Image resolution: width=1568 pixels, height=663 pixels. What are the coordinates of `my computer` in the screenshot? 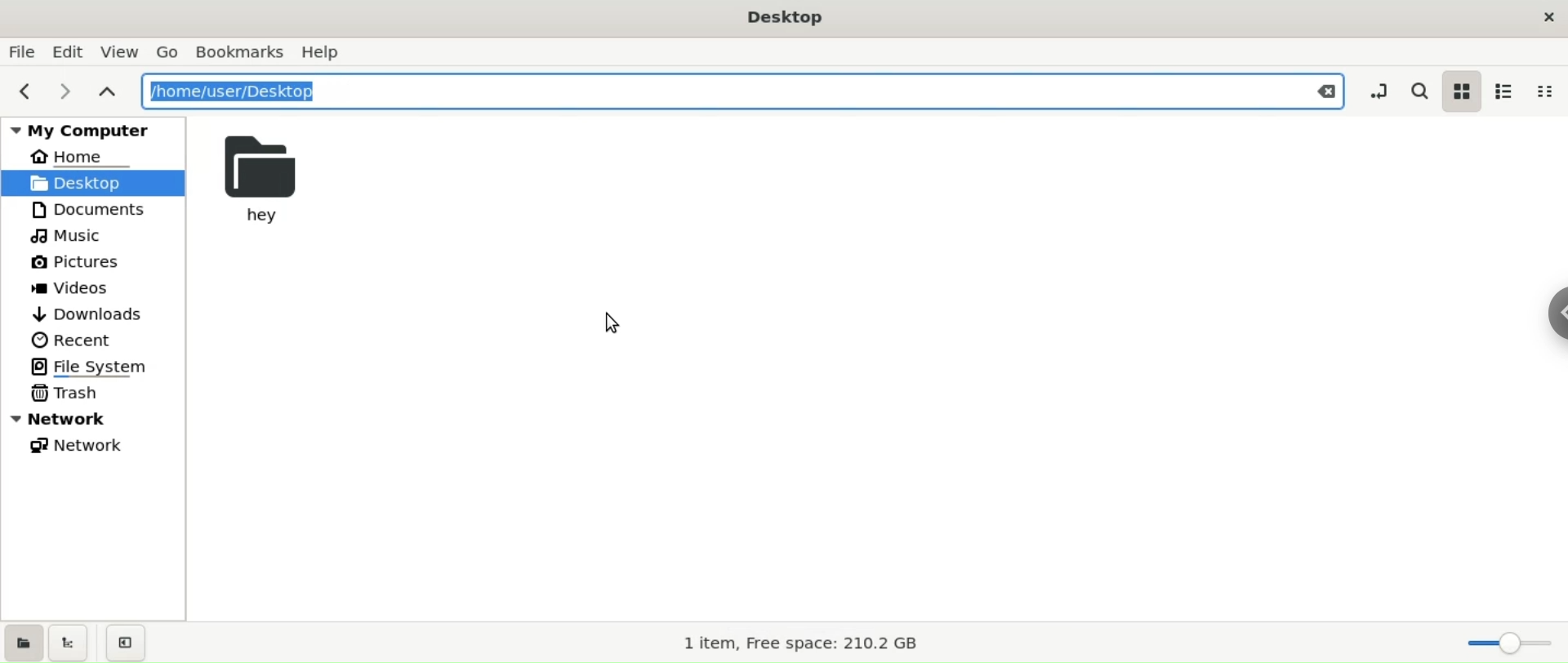 It's located at (91, 128).